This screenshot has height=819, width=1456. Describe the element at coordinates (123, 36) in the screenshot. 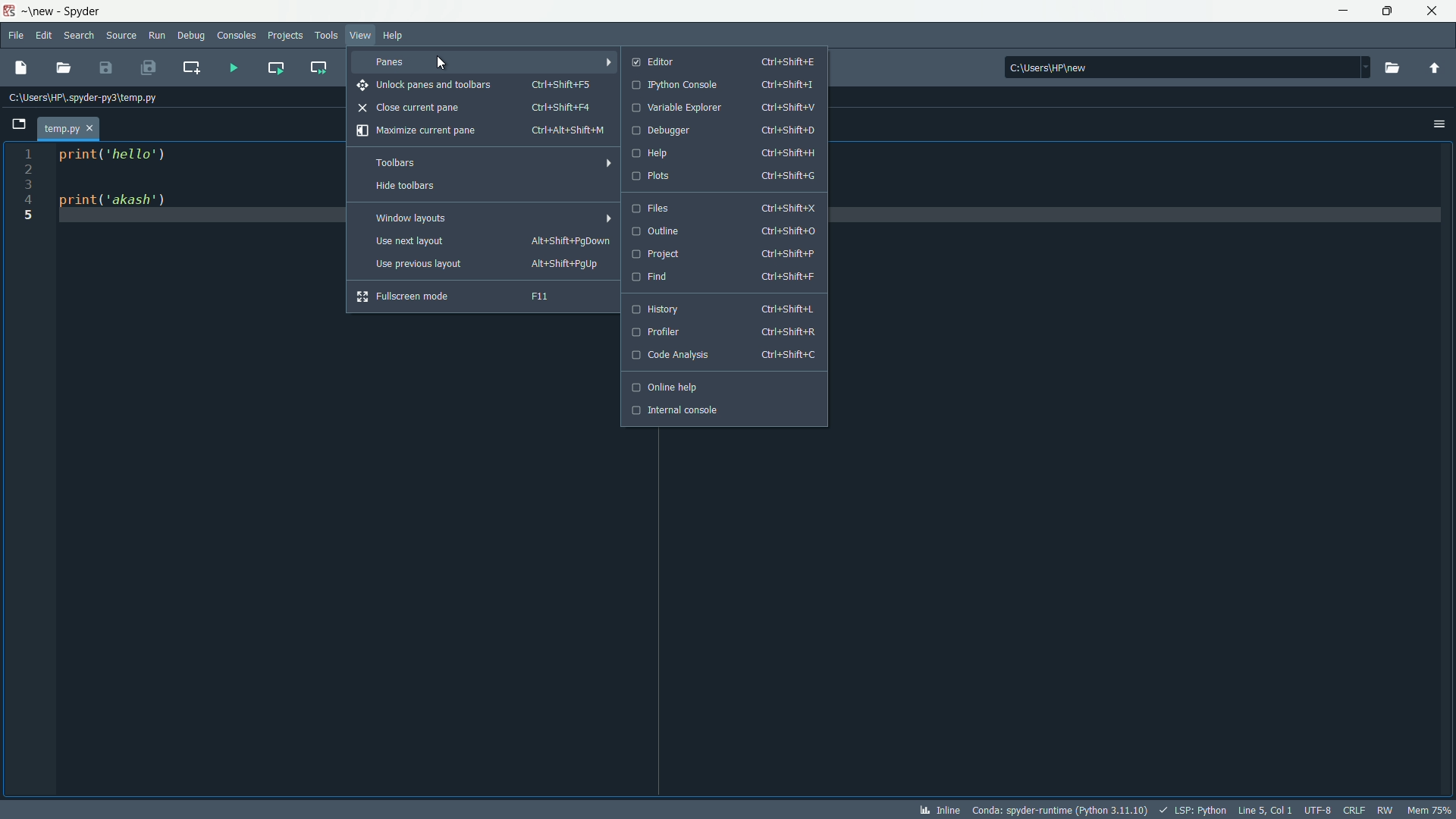

I see `source menu` at that location.